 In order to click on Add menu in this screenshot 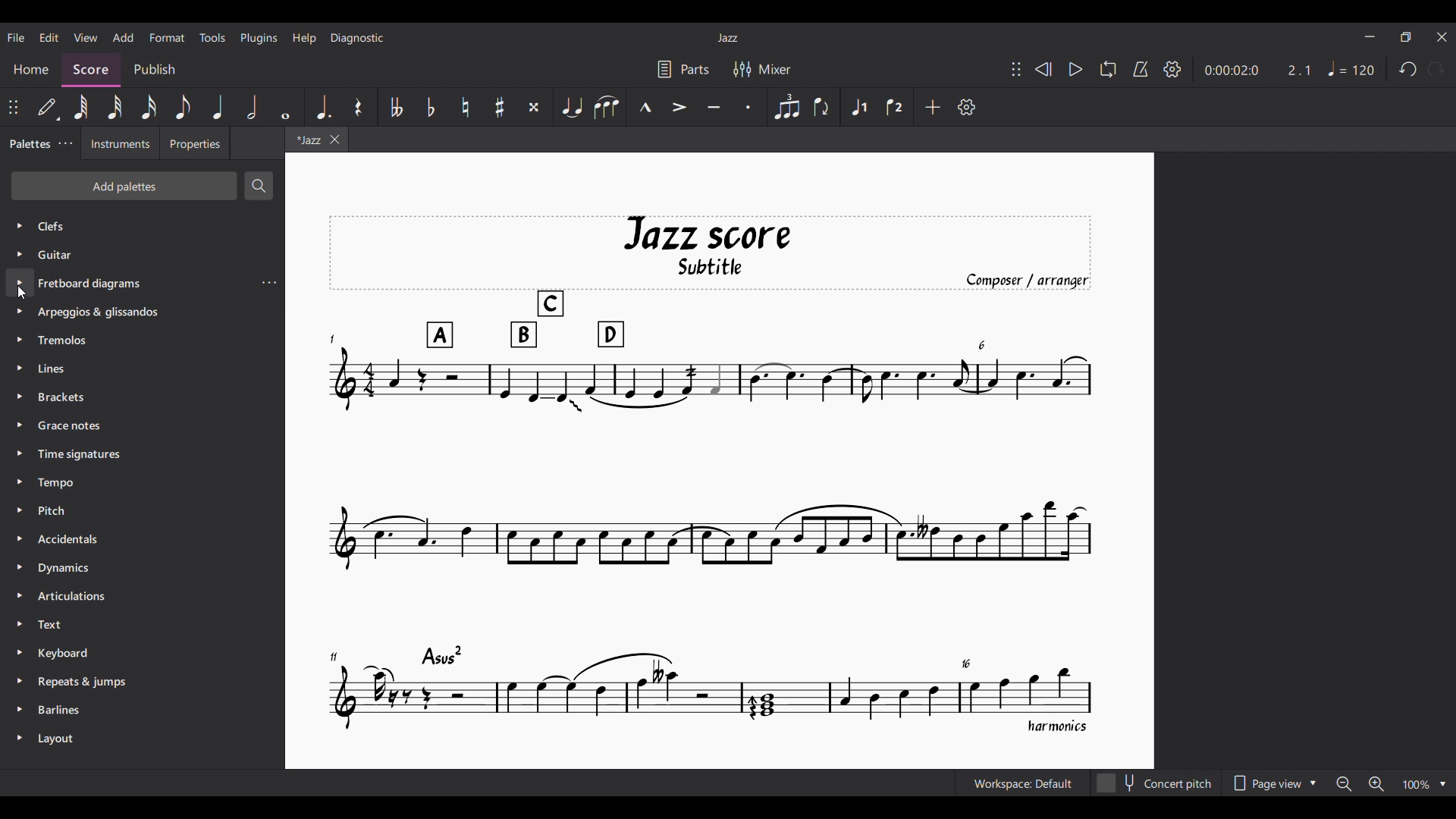, I will do `click(124, 38)`.